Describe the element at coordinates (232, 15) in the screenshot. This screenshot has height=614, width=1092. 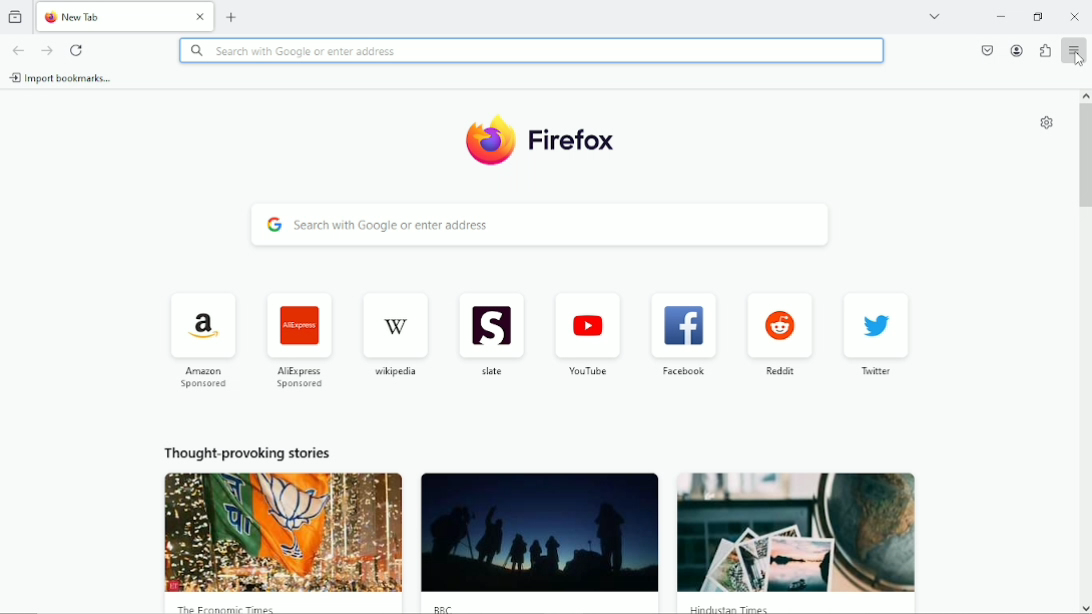
I see `New tab` at that location.